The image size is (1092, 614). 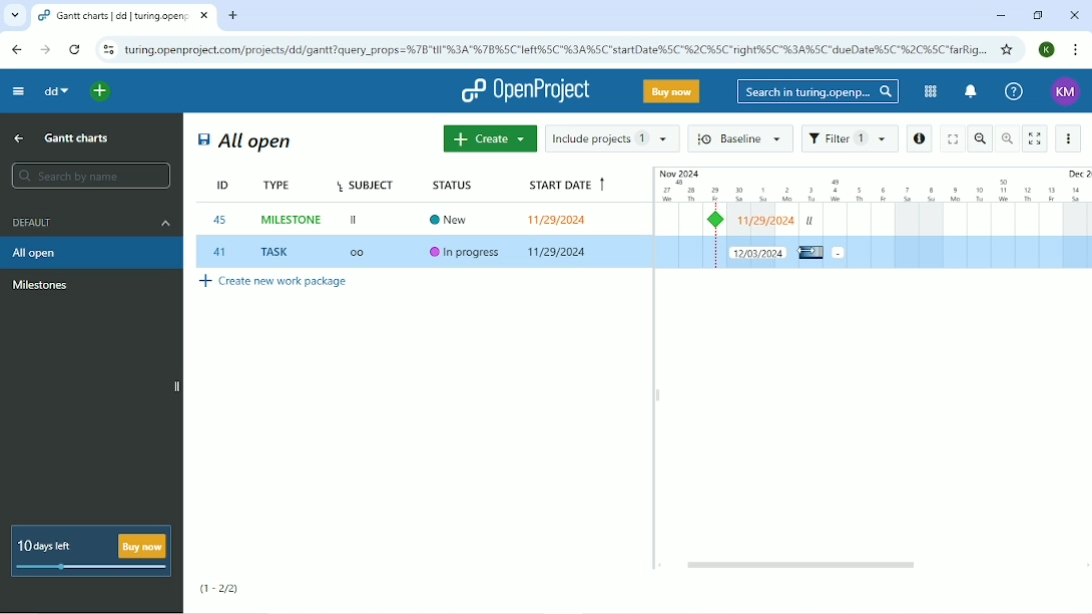 What do you see at coordinates (812, 252) in the screenshot?
I see `Cursor` at bounding box center [812, 252].